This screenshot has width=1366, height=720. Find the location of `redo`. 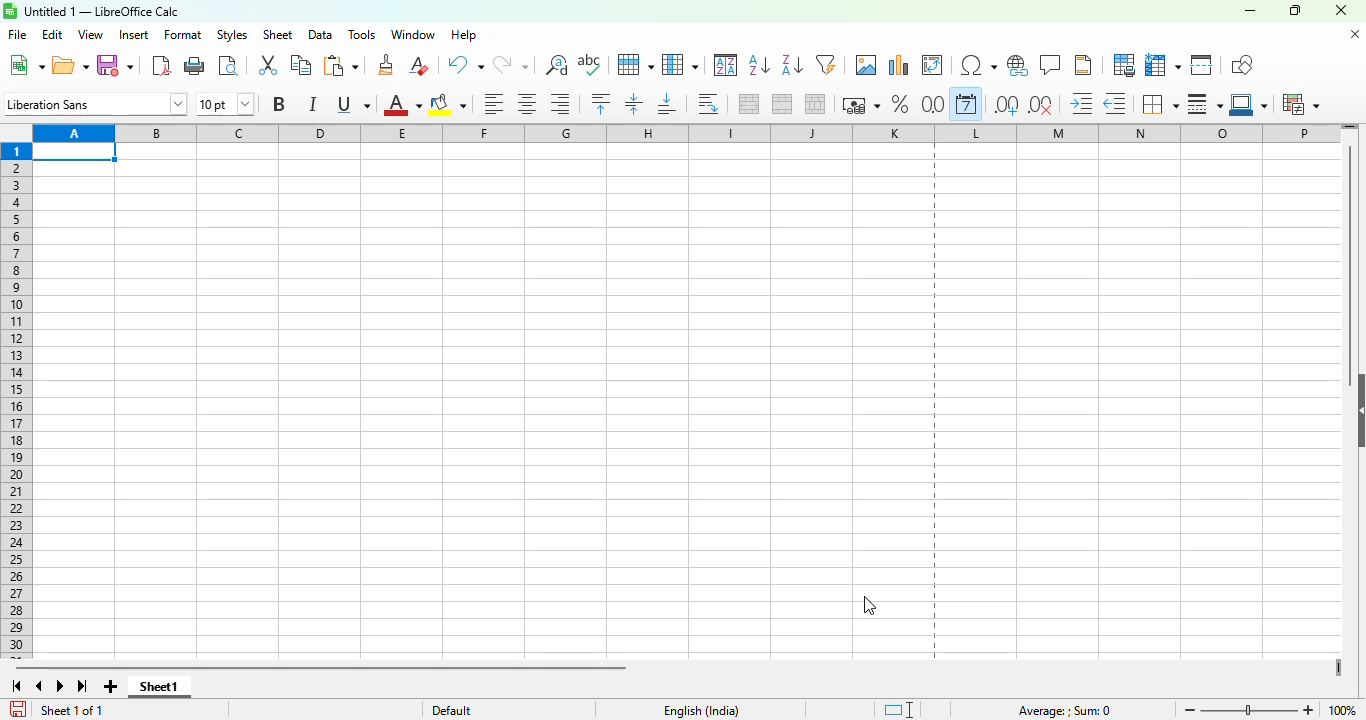

redo is located at coordinates (511, 64).